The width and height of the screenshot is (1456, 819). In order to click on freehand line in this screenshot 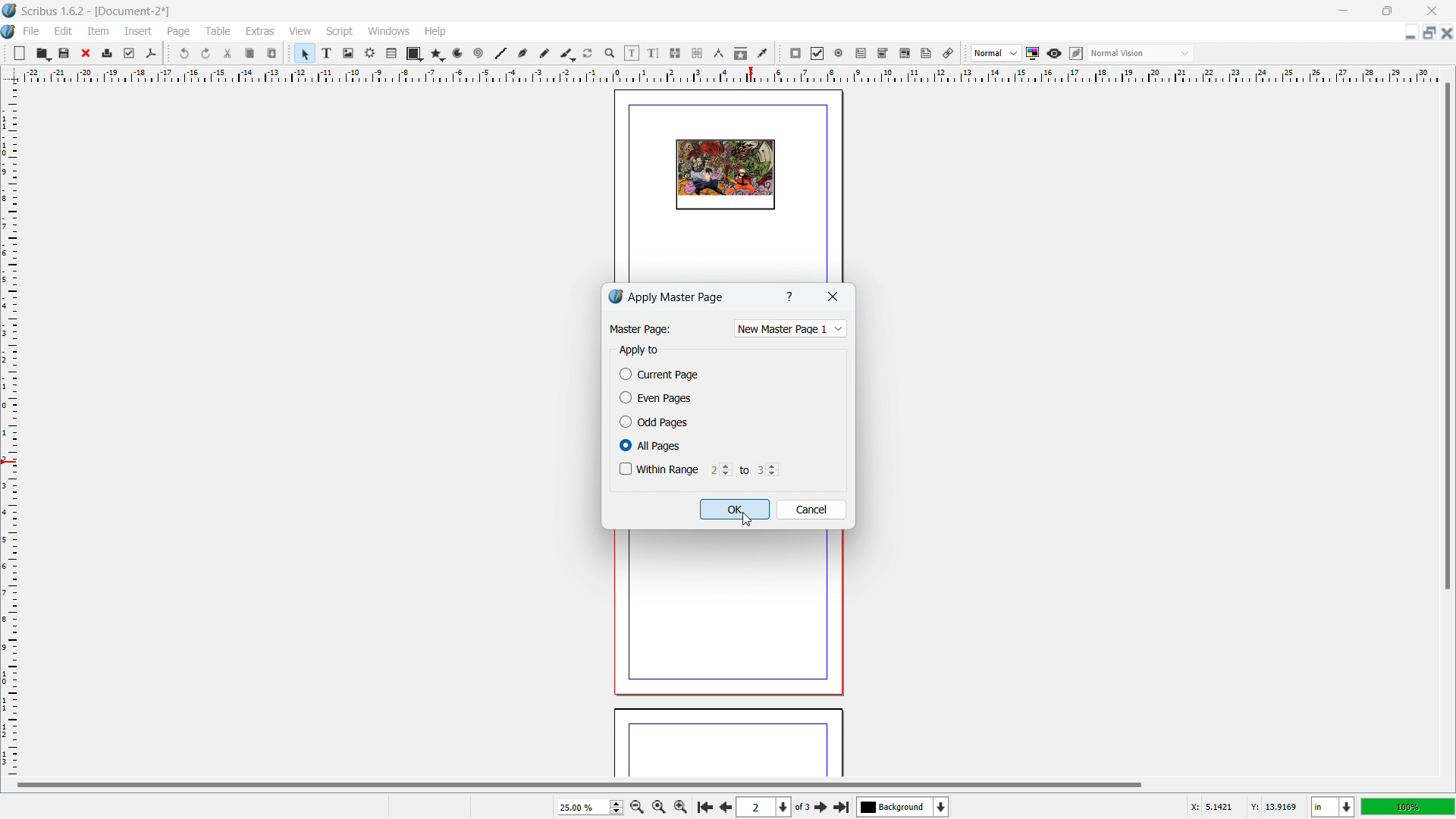, I will do `click(545, 54)`.